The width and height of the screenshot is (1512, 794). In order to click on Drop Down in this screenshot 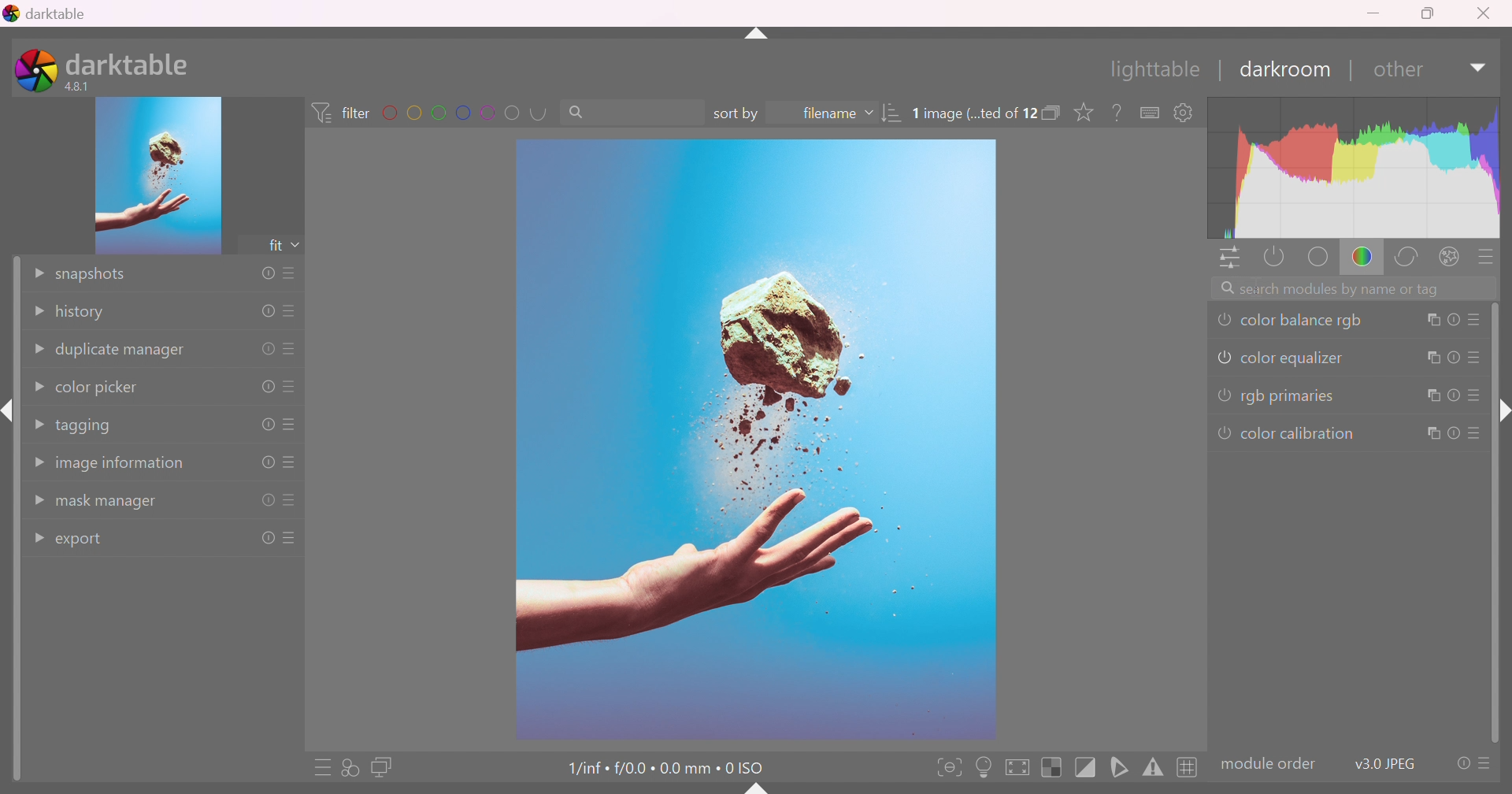, I will do `click(39, 423)`.